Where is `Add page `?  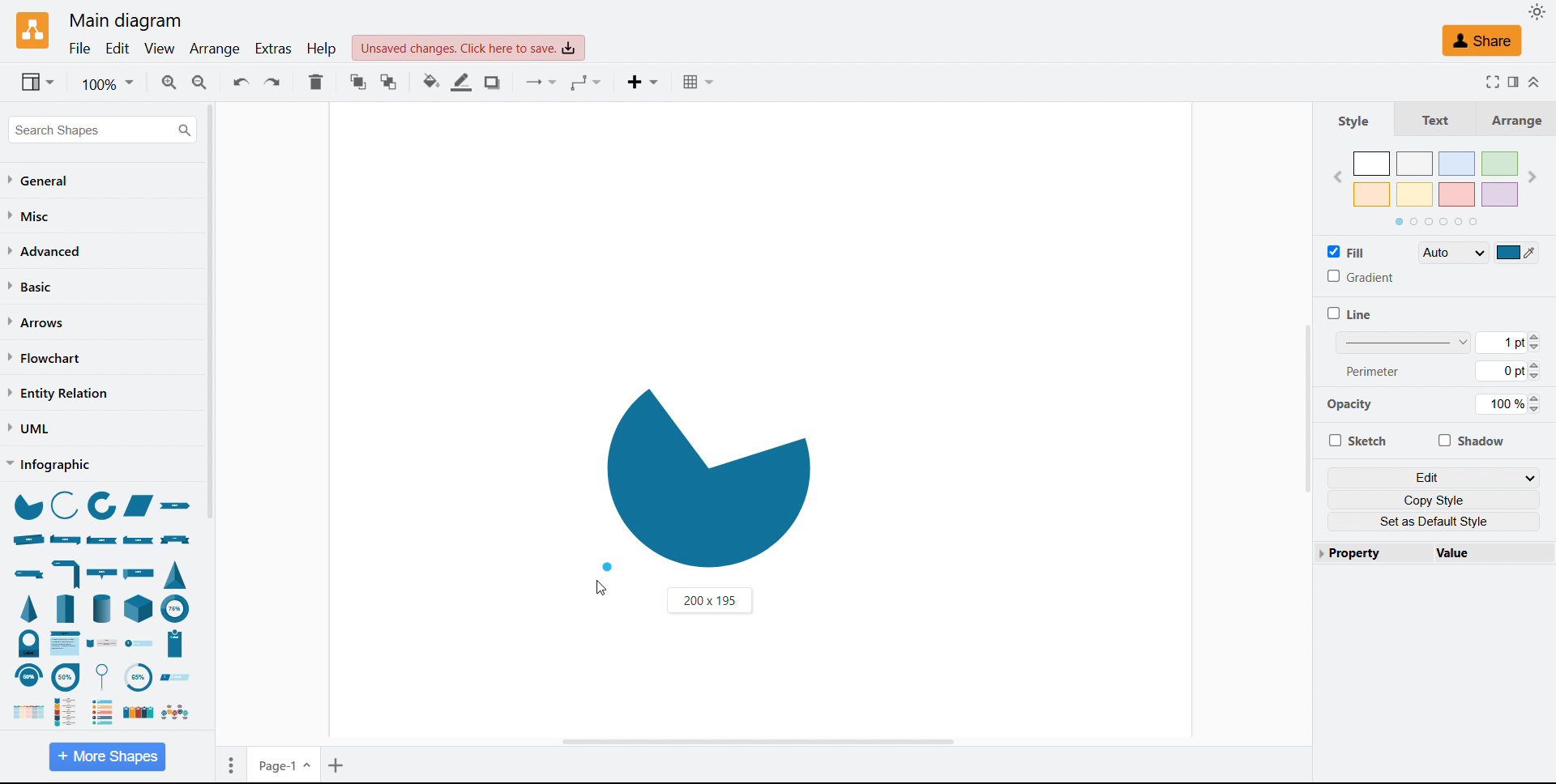
Add page  is located at coordinates (338, 765).